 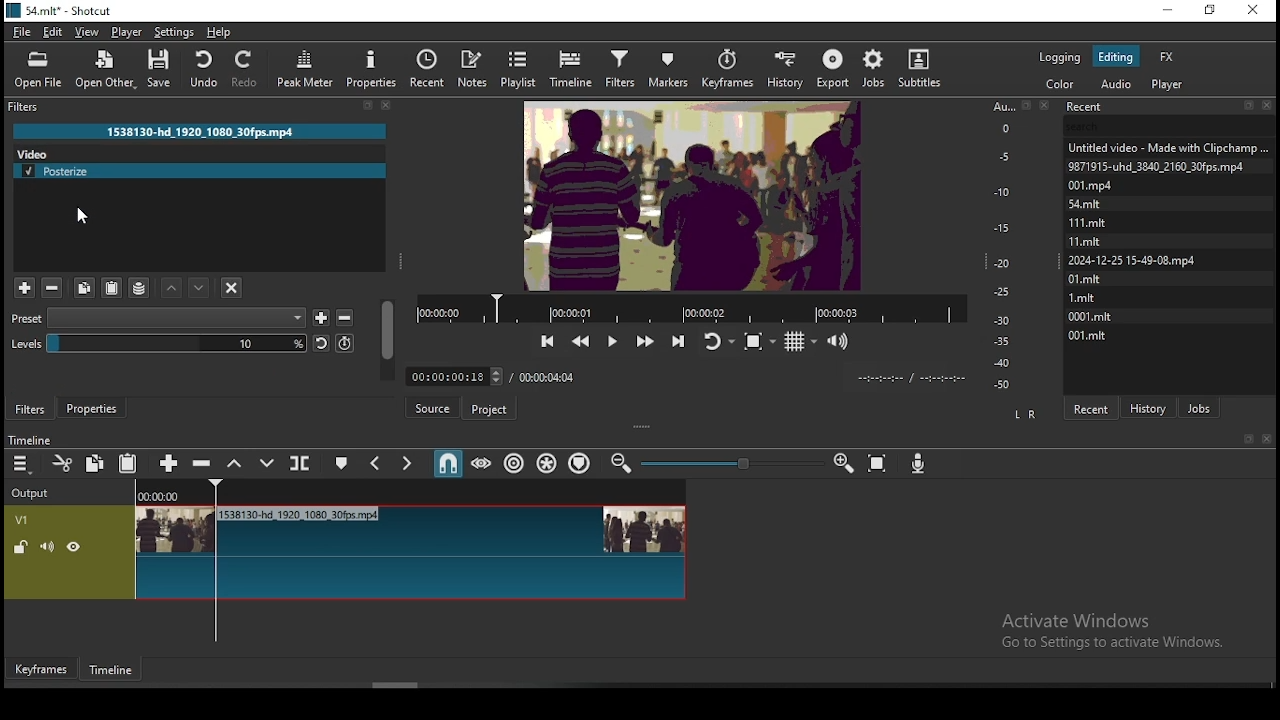 I want to click on filters, so click(x=31, y=408).